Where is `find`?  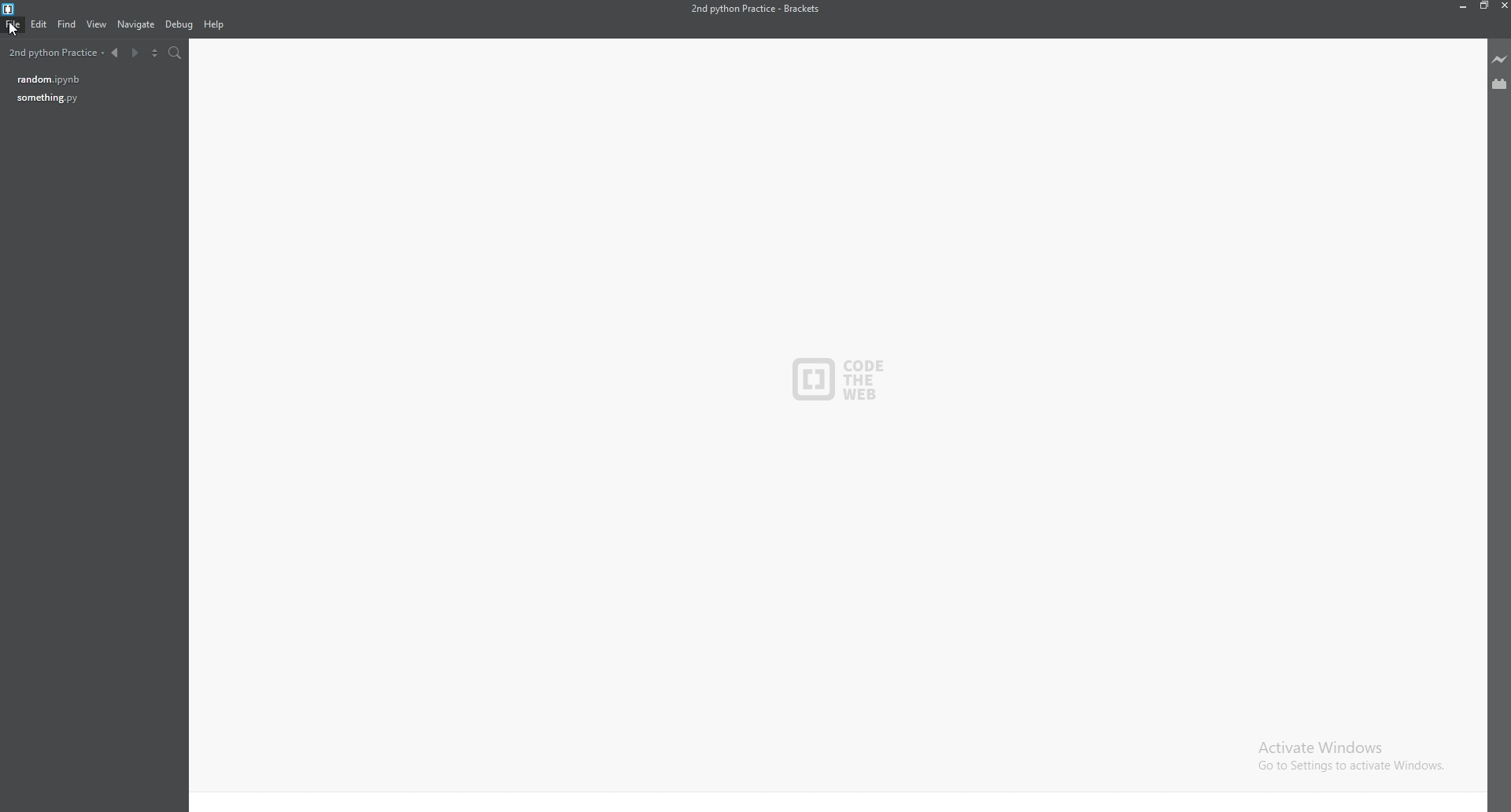
find is located at coordinates (67, 24).